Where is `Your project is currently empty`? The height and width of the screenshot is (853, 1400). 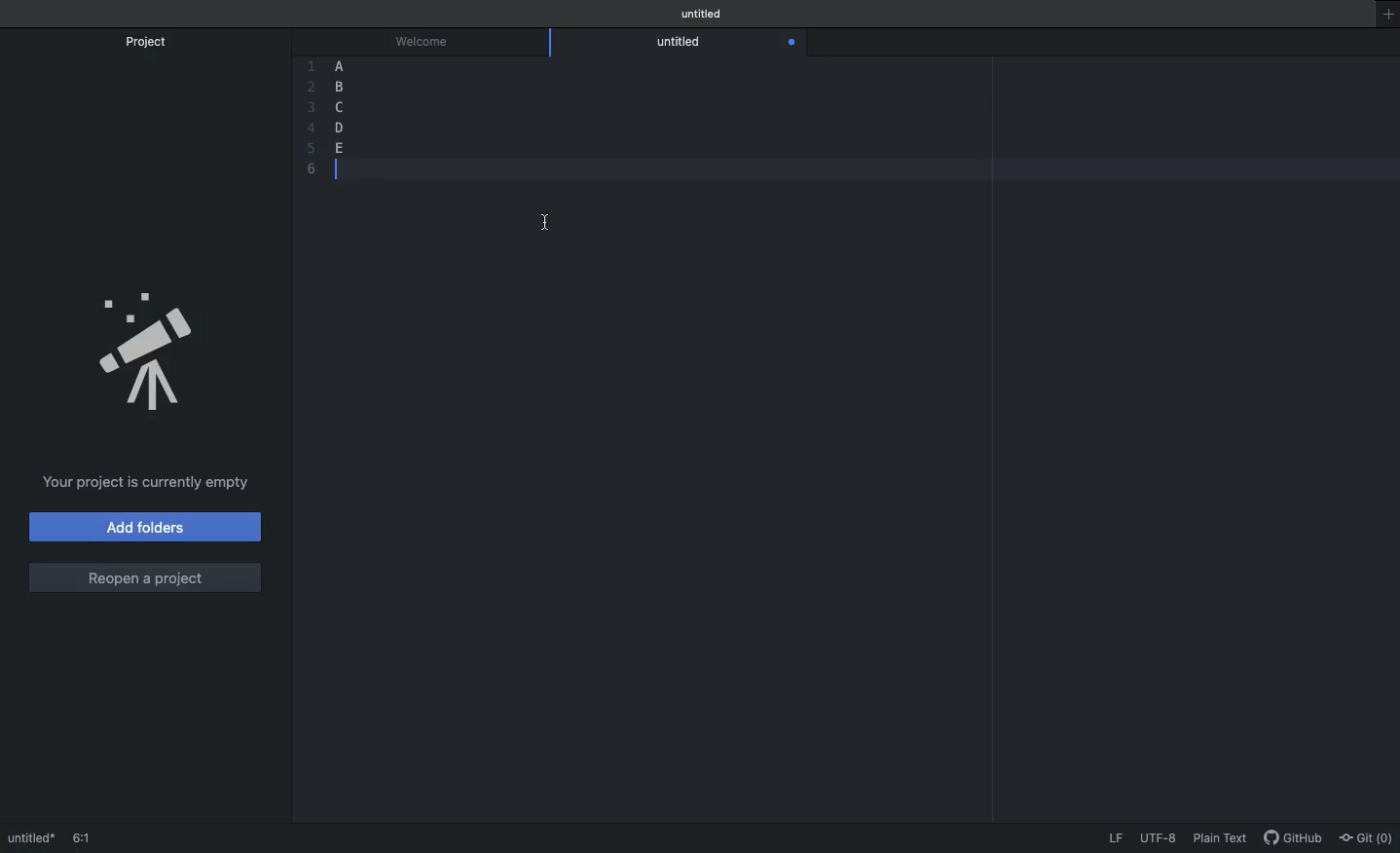
Your project is currently empty is located at coordinates (142, 483).